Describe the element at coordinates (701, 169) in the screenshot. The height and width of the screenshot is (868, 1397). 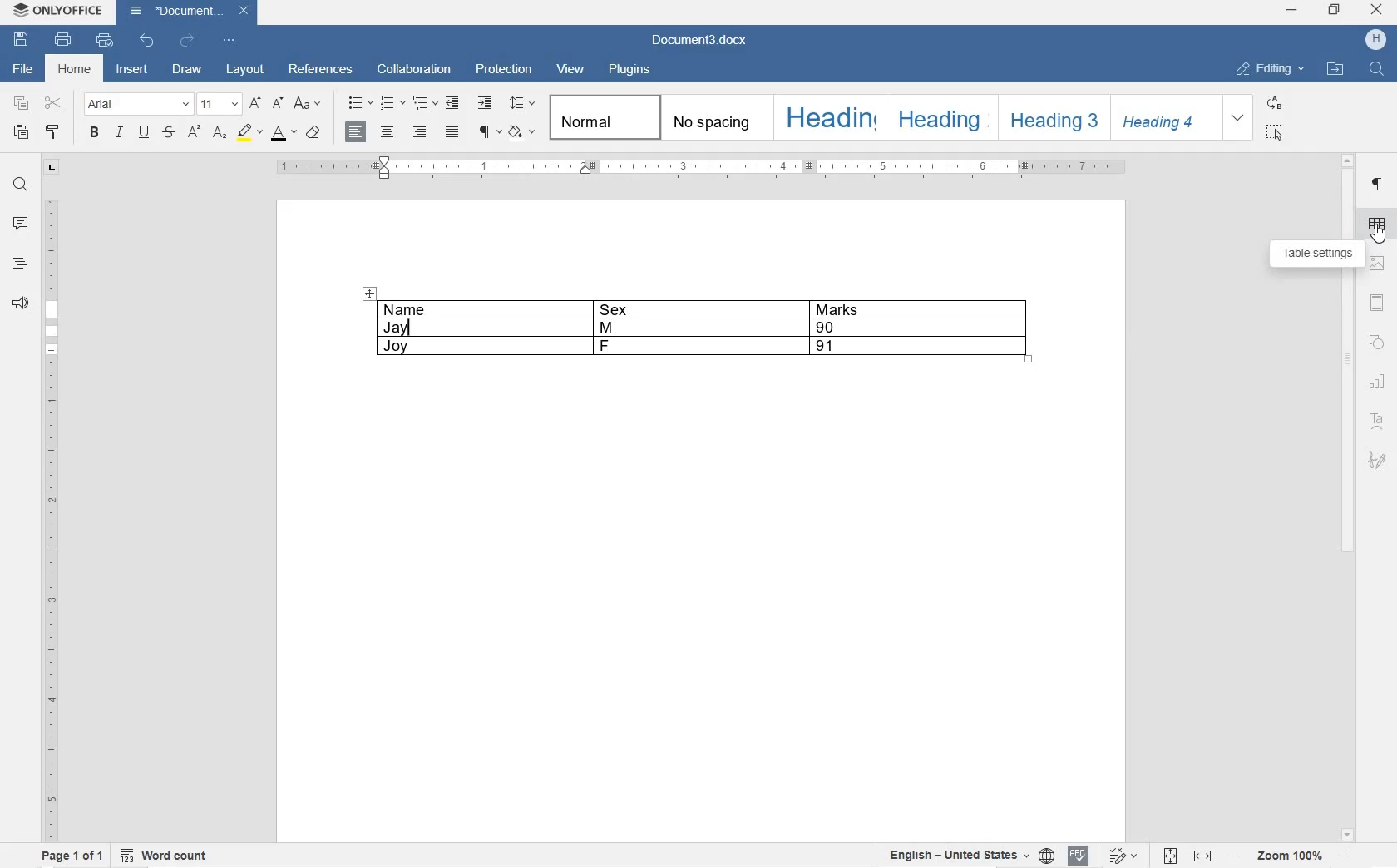
I see `RULER` at that location.